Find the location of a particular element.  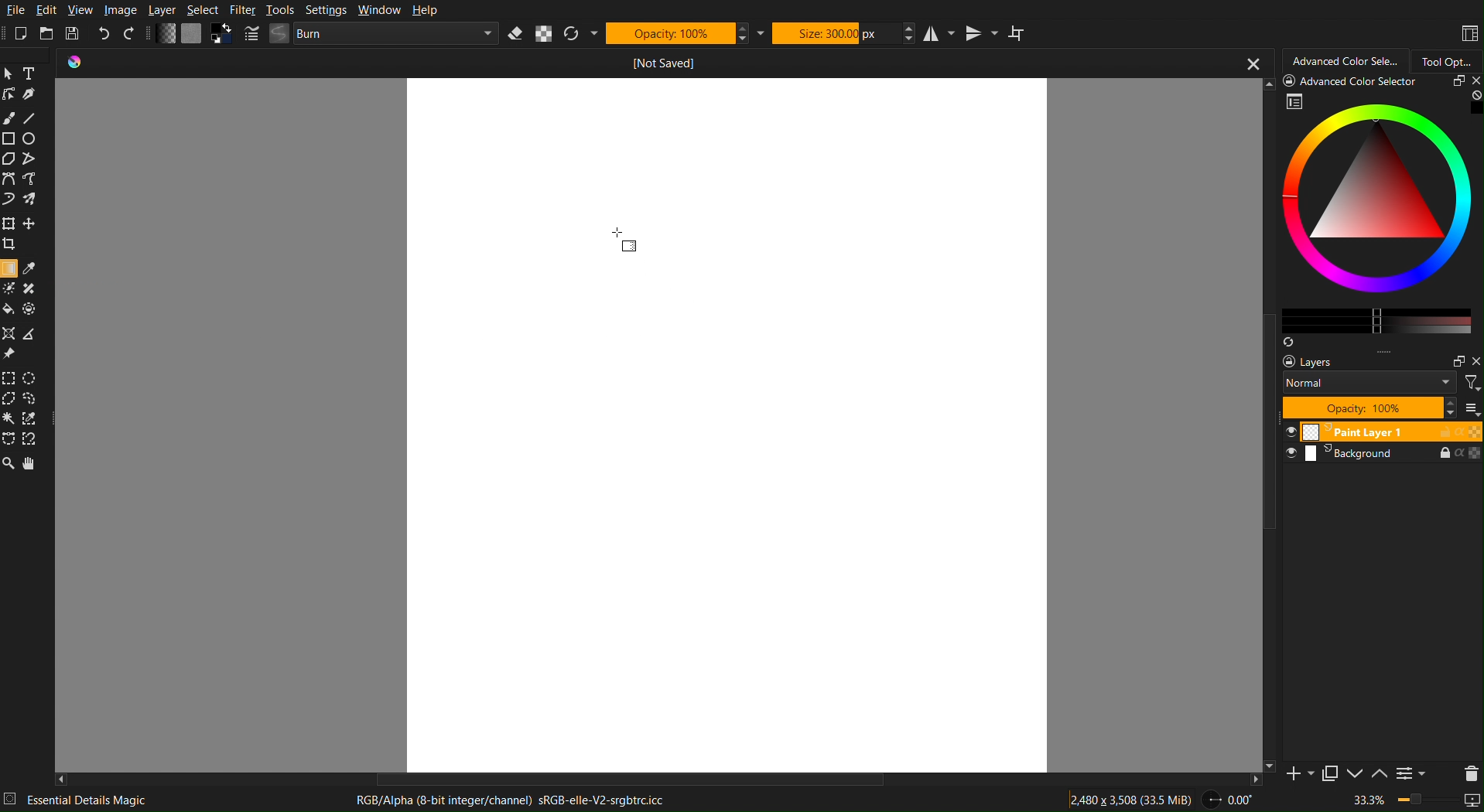

Save is located at coordinates (76, 35).